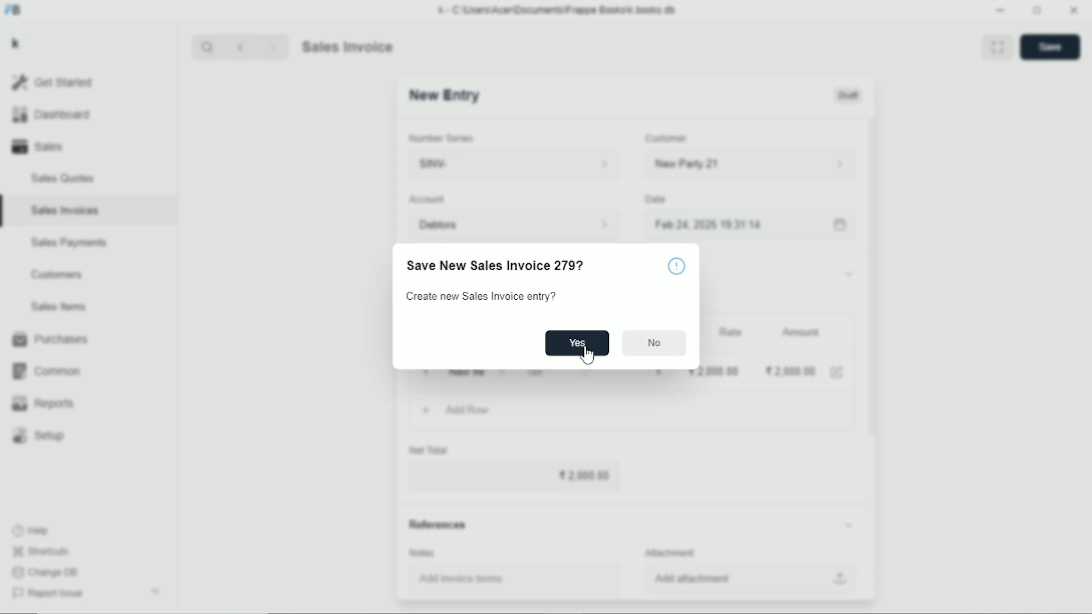 The width and height of the screenshot is (1092, 614). I want to click on Create new sales invoice entry?, so click(483, 296).